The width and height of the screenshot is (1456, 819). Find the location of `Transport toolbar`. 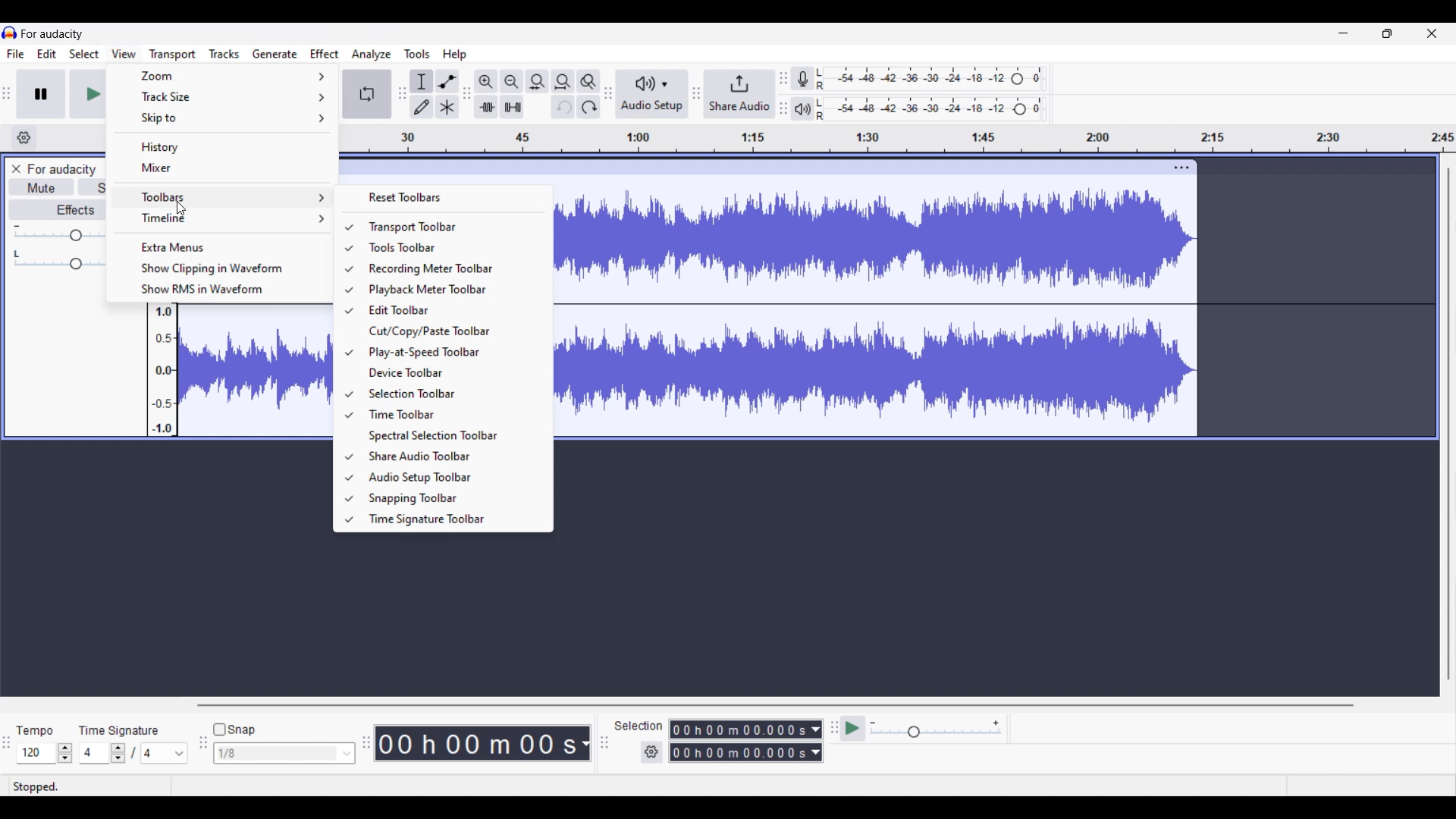

Transport toolbar is located at coordinates (451, 227).